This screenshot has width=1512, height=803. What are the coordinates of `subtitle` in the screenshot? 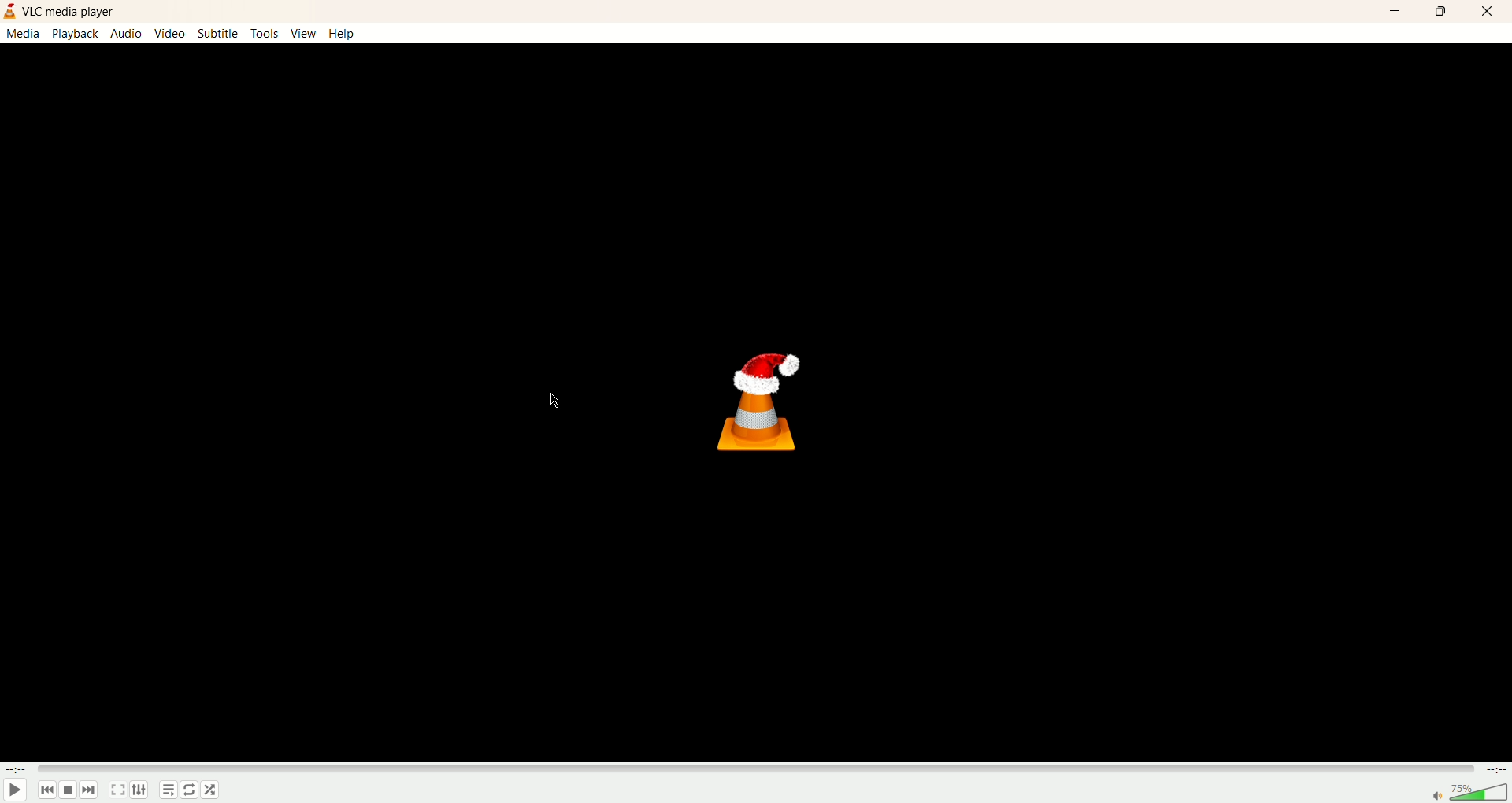 It's located at (217, 32).